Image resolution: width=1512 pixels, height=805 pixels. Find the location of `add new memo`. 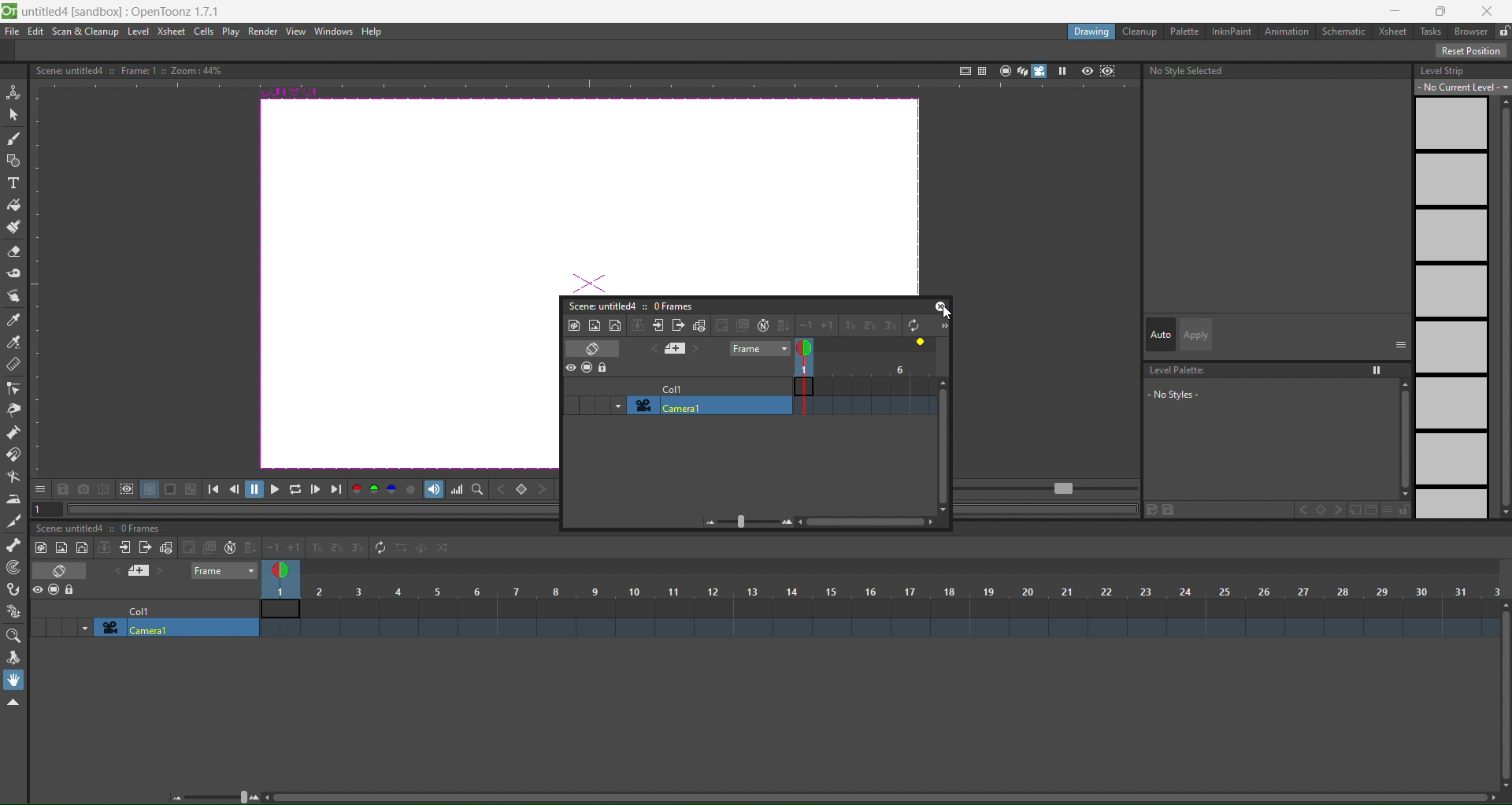

add new memo is located at coordinates (140, 572).